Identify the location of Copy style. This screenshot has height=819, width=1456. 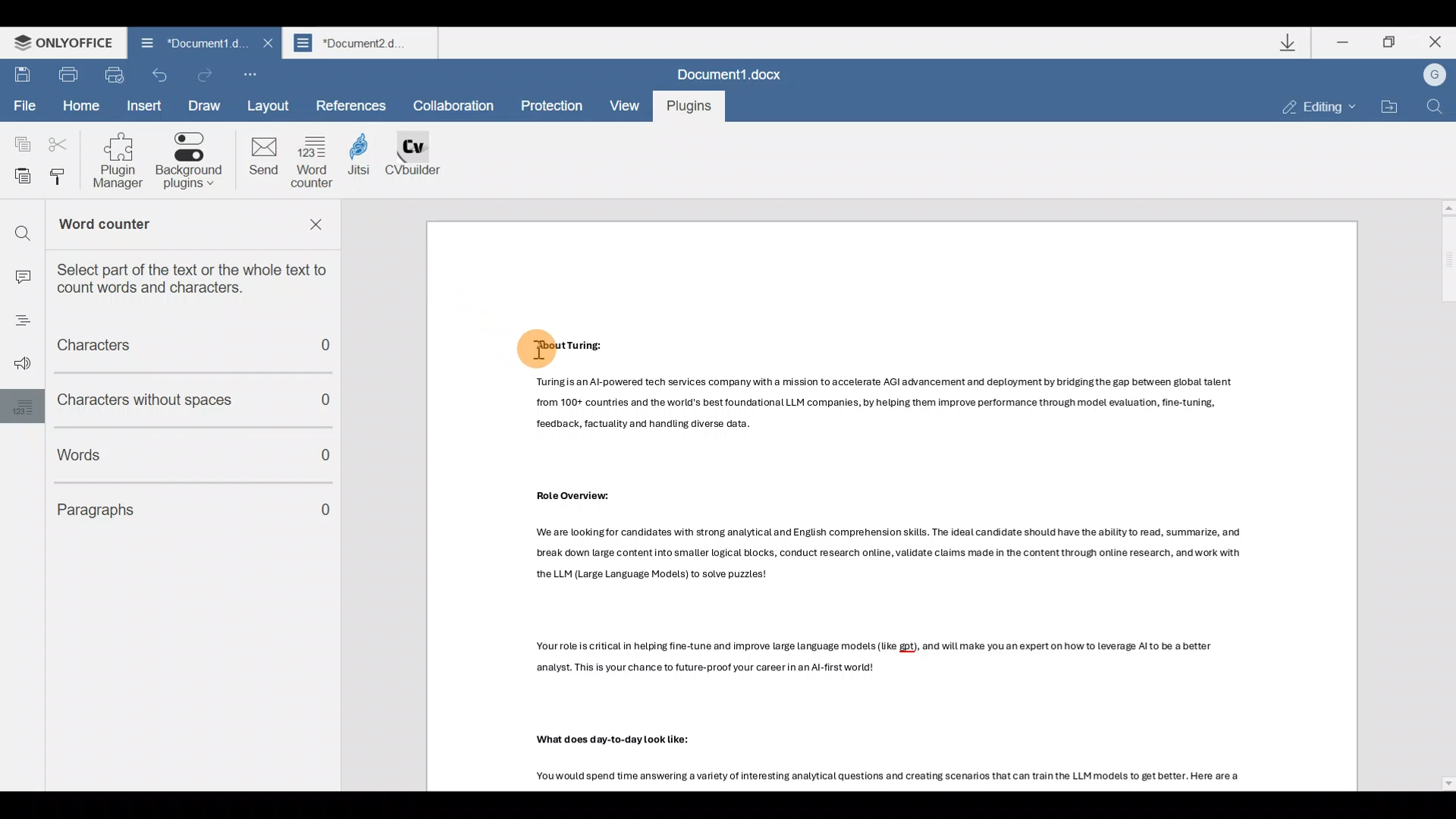
(64, 180).